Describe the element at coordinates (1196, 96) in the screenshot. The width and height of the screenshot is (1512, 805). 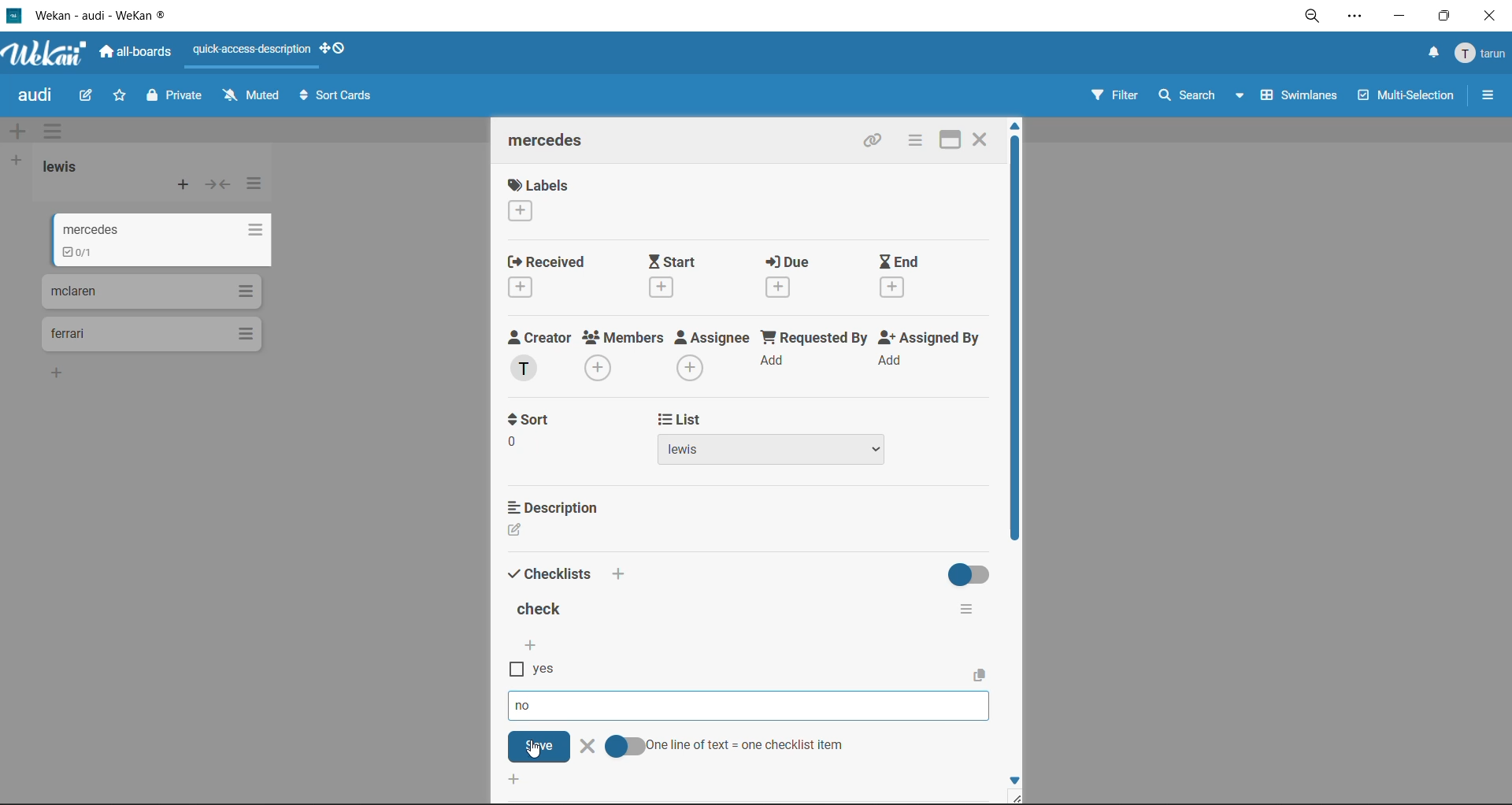
I see `search` at that location.